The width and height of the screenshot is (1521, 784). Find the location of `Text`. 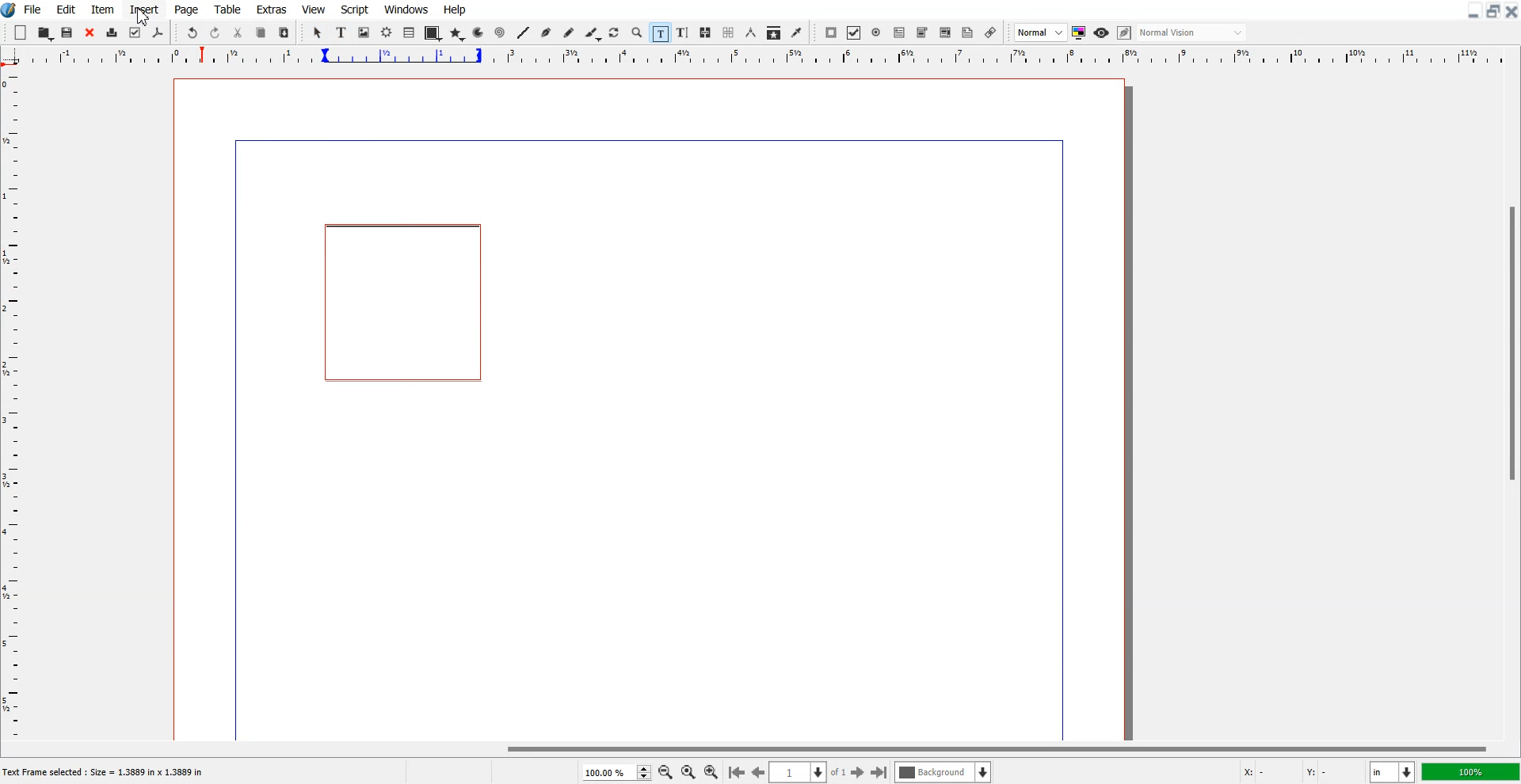

Text is located at coordinates (109, 773).